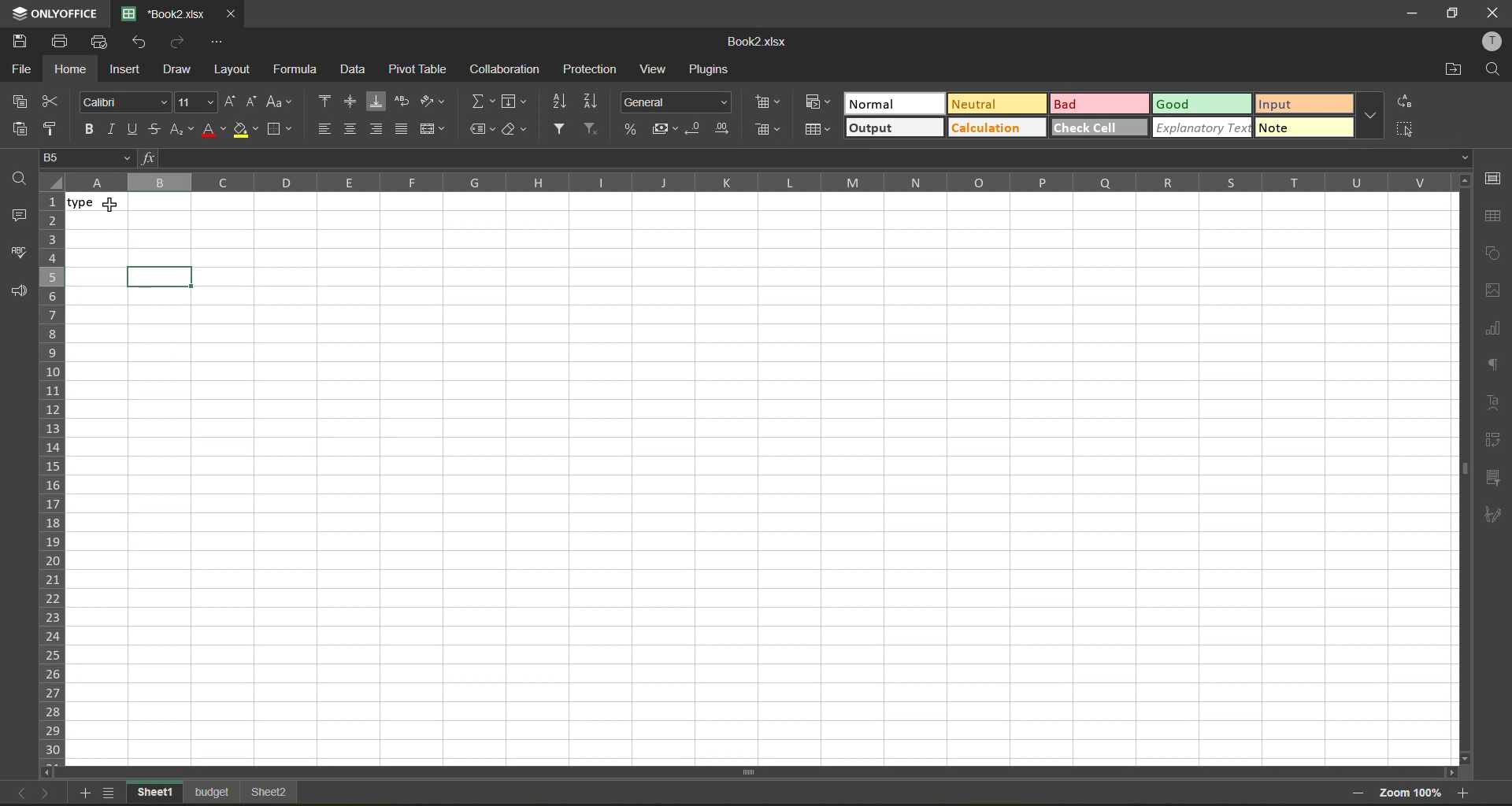  What do you see at coordinates (20, 293) in the screenshot?
I see `feedback` at bounding box center [20, 293].